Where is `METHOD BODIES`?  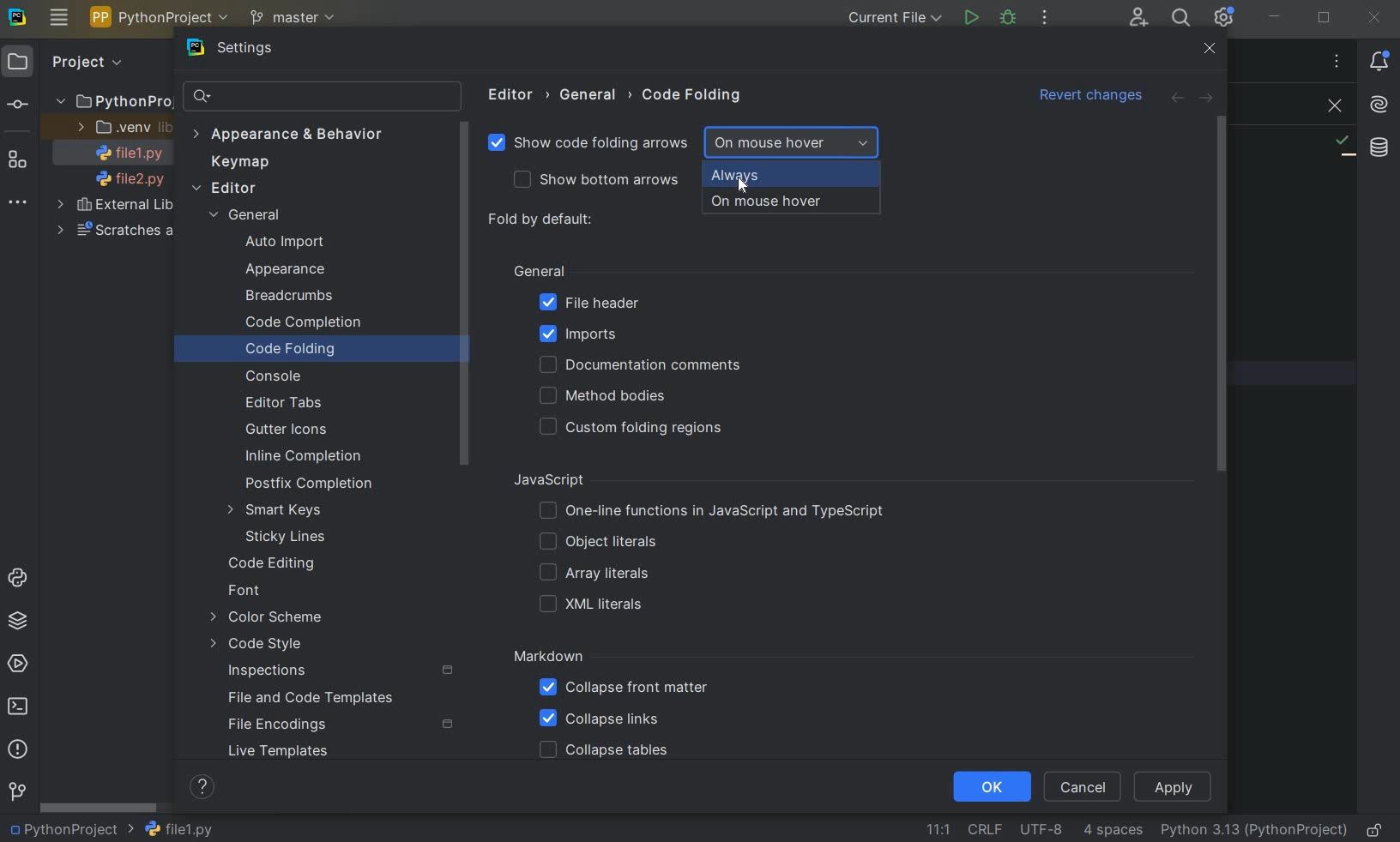
METHOD BODIES is located at coordinates (606, 396).